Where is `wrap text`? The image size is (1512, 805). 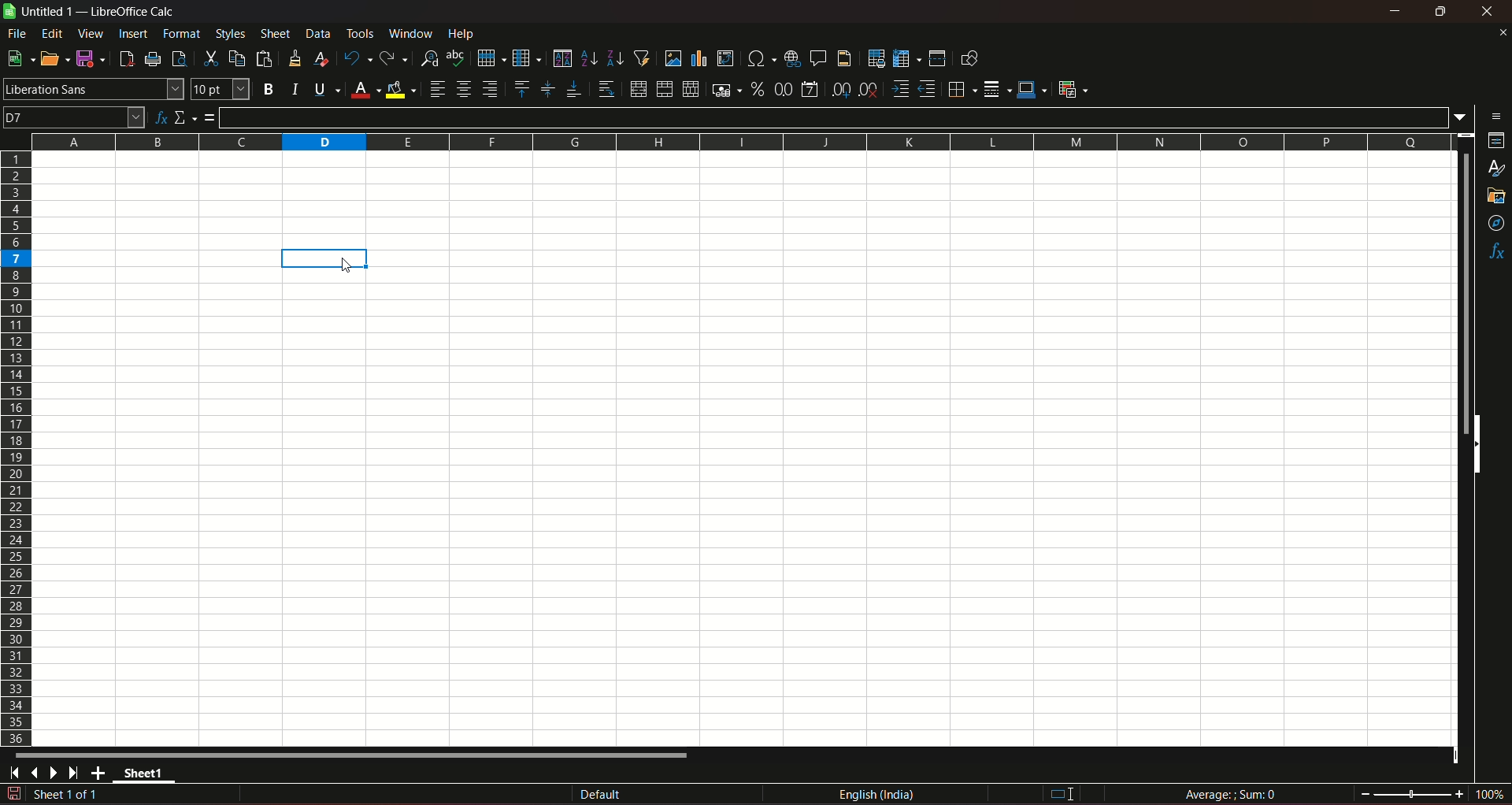
wrap text is located at coordinates (606, 90).